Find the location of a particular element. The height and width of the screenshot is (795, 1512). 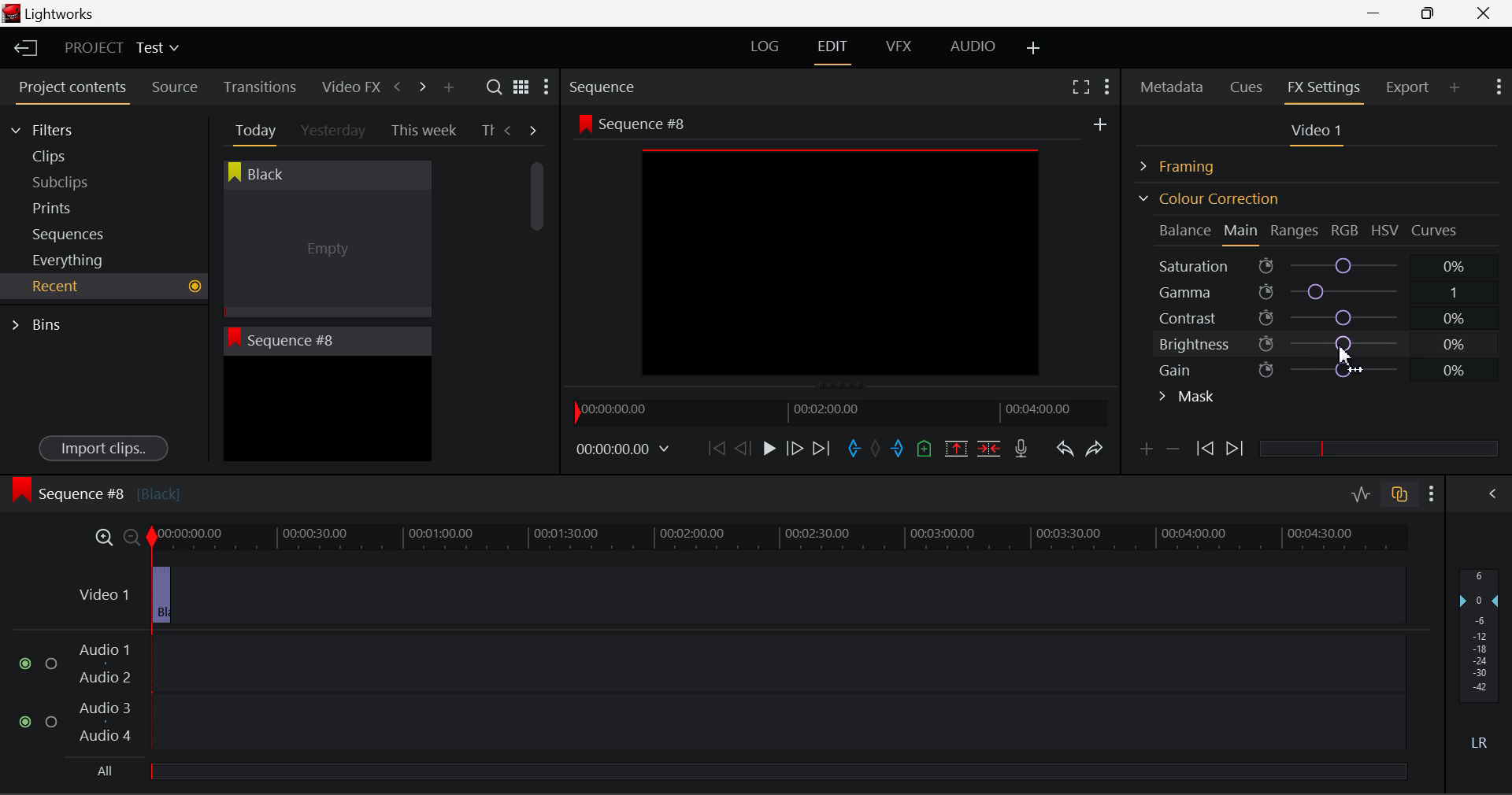

Show Settings is located at coordinates (1432, 494).